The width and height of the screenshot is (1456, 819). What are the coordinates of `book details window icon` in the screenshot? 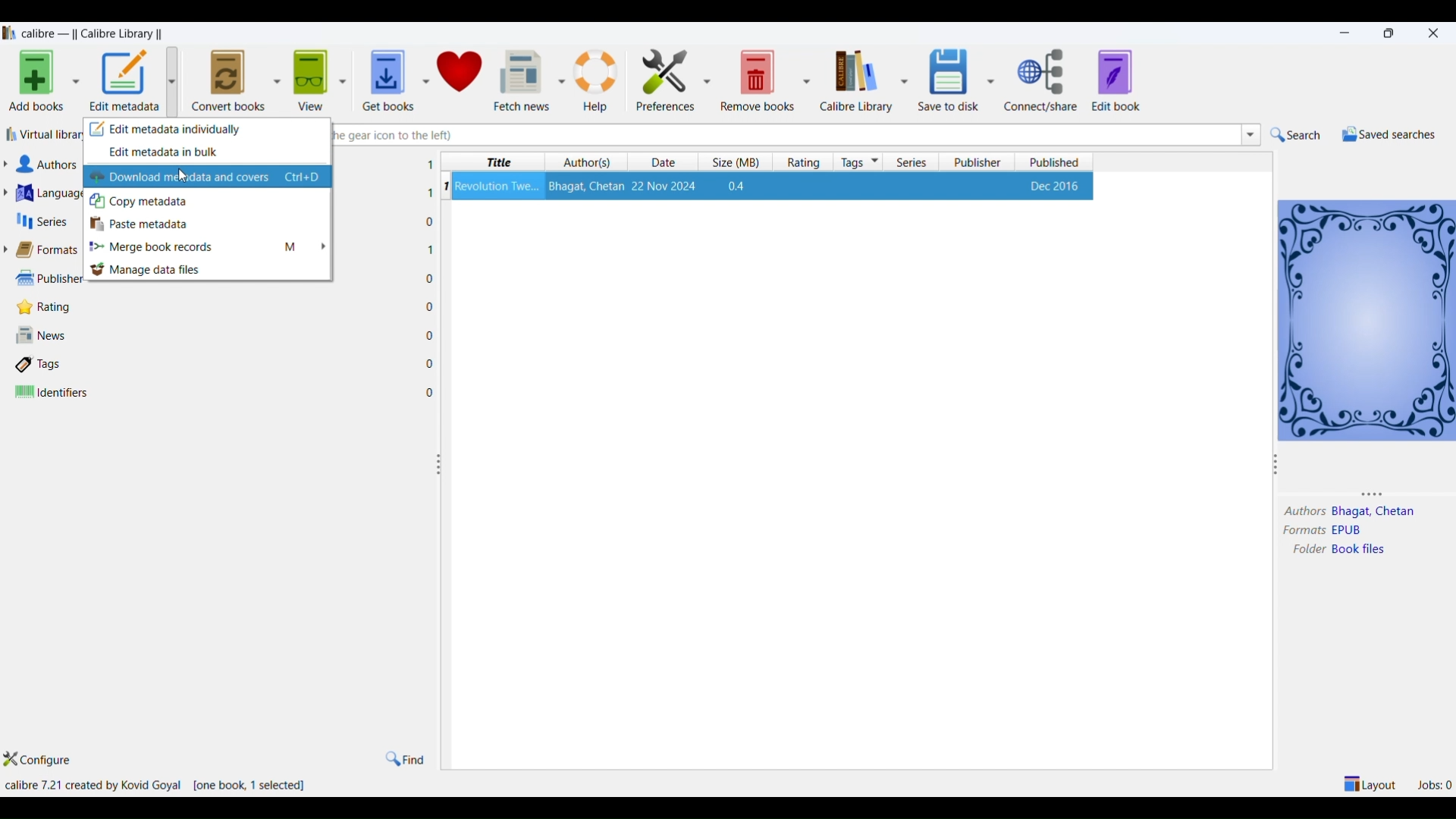 It's located at (1366, 318).